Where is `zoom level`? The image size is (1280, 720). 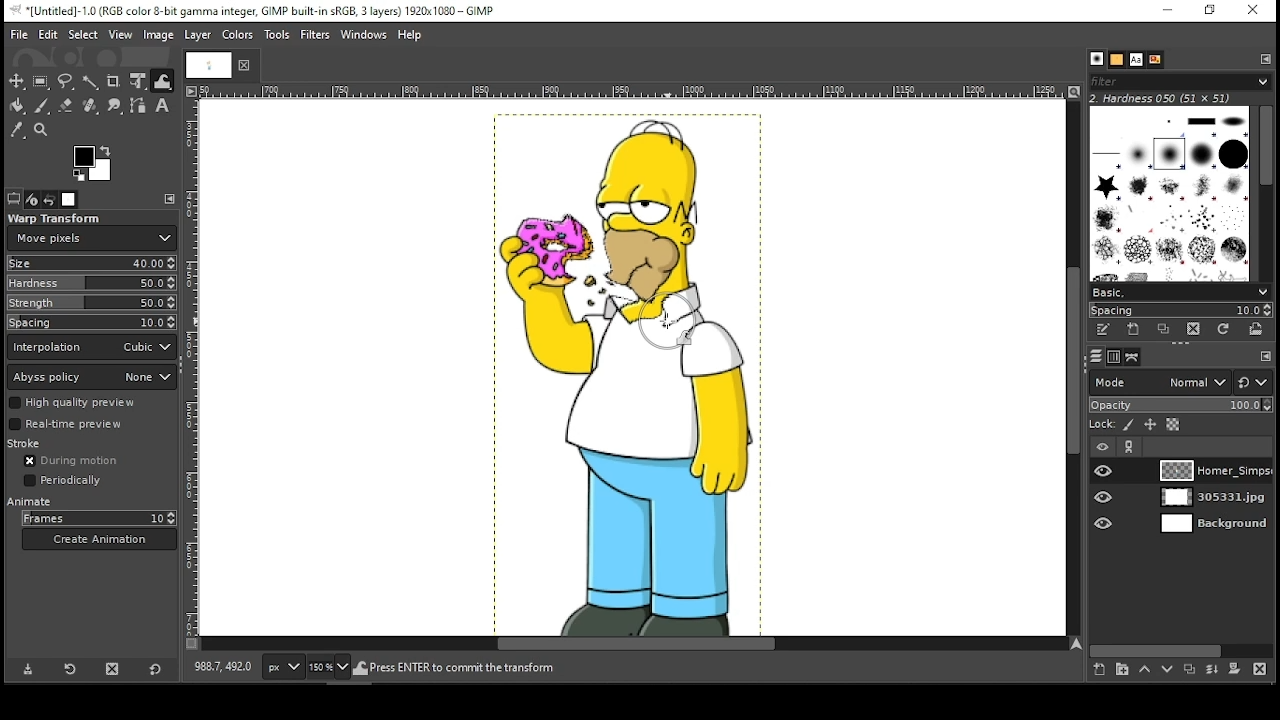
zoom level is located at coordinates (330, 668).